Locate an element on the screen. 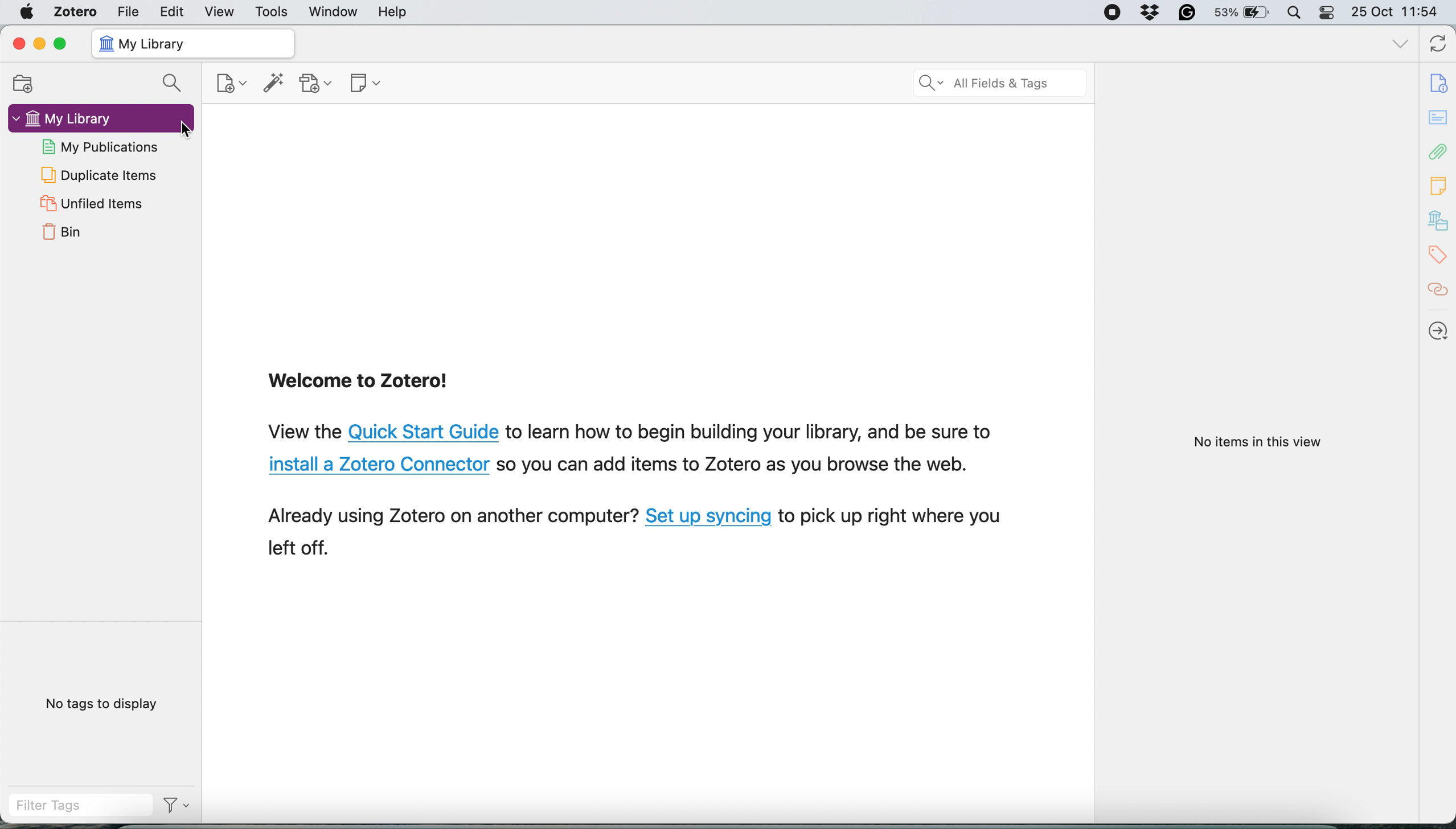  duplicate items is located at coordinates (99, 175).